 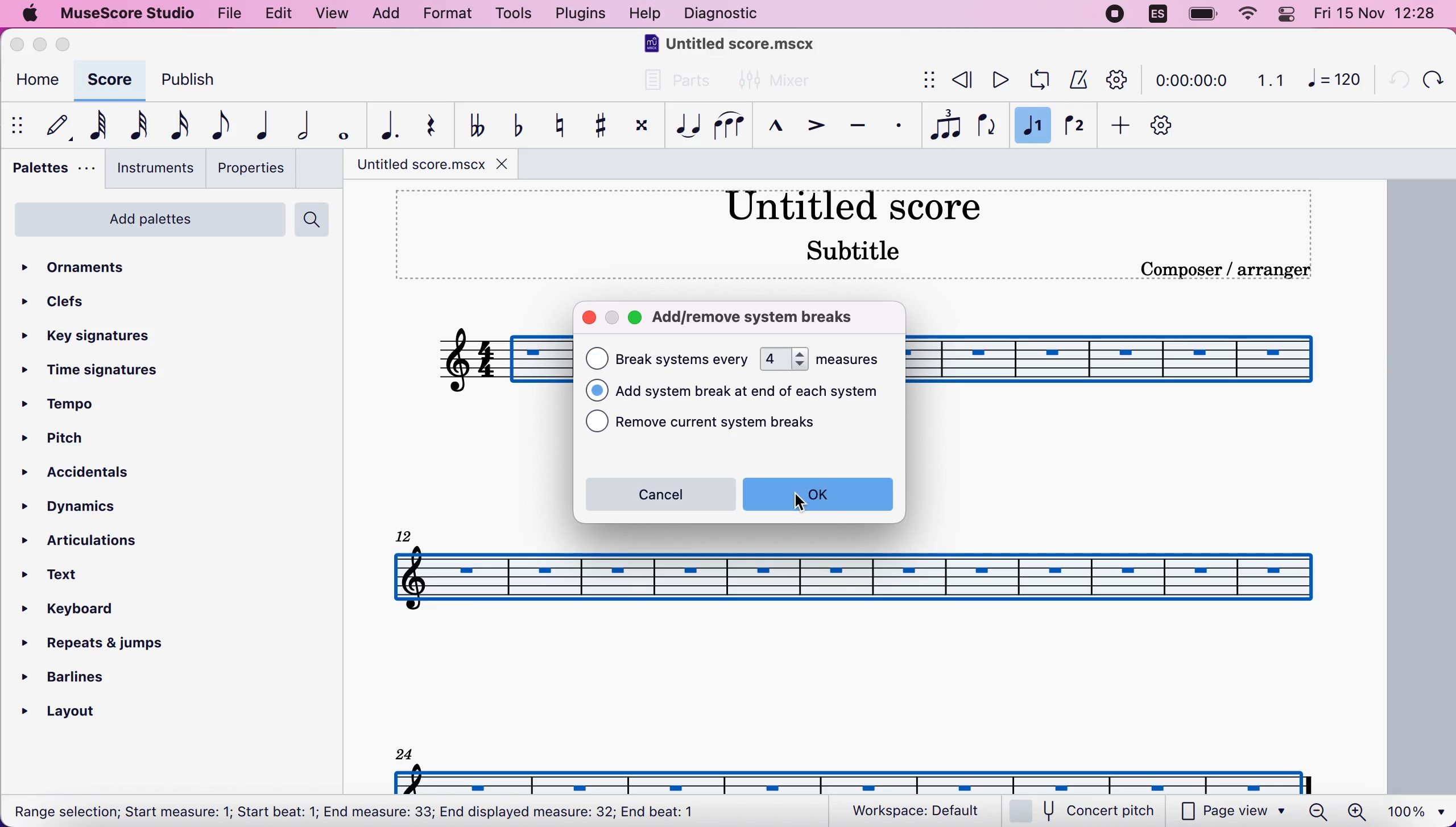 I want to click on close, so click(x=20, y=46).